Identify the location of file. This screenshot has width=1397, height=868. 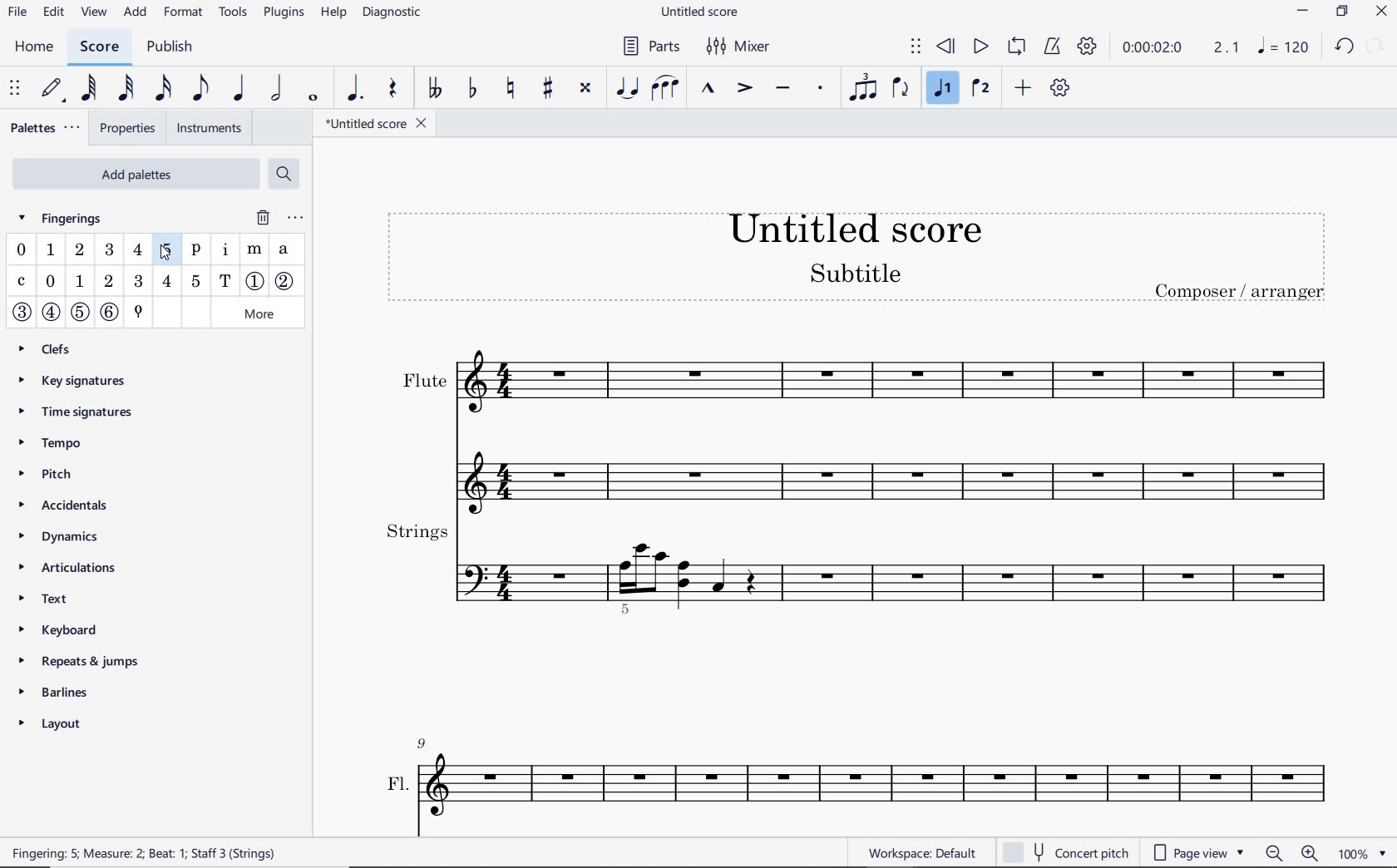
(17, 13).